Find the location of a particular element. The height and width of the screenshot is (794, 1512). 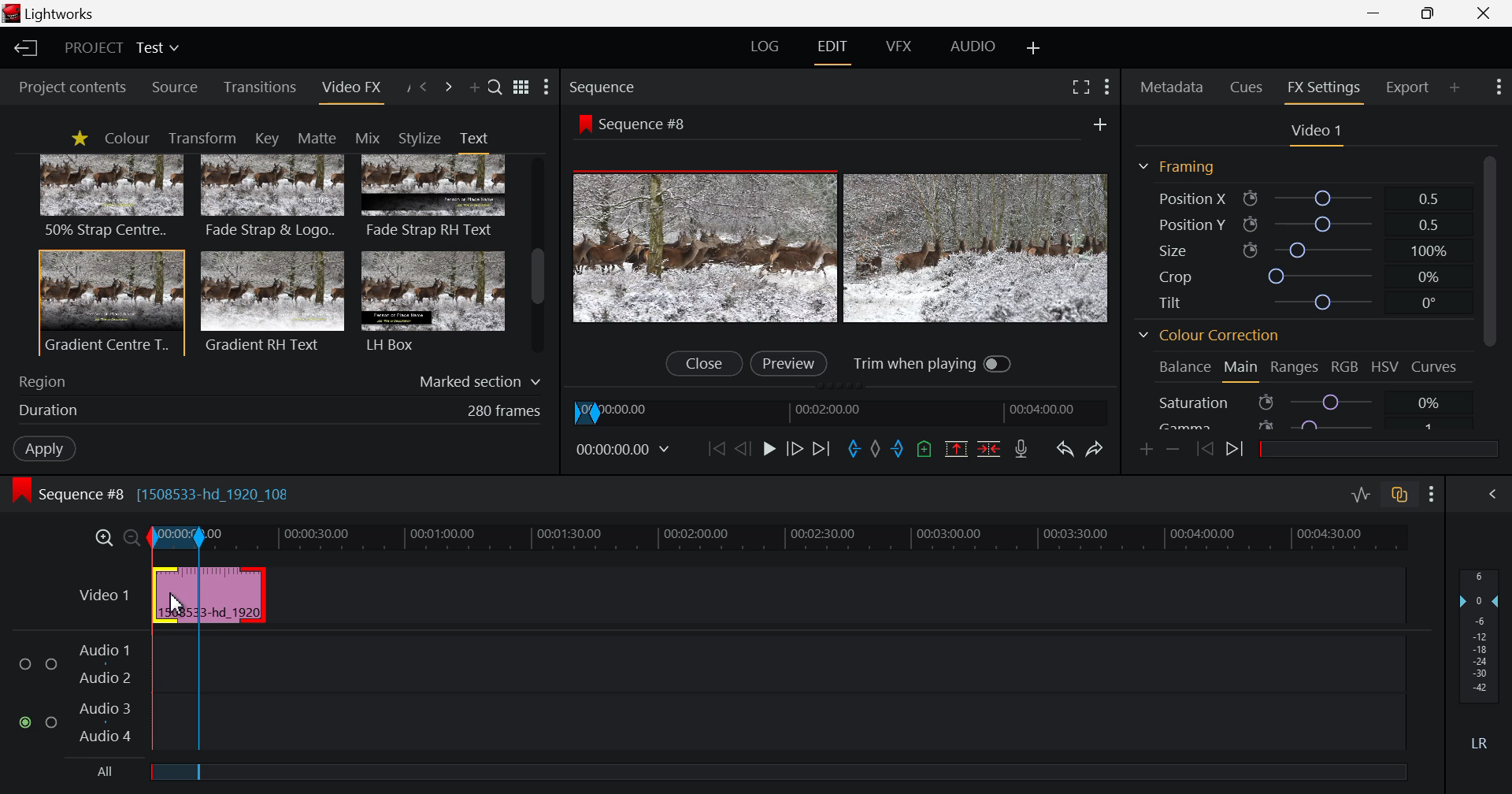

EDIT Layout is located at coordinates (836, 48).